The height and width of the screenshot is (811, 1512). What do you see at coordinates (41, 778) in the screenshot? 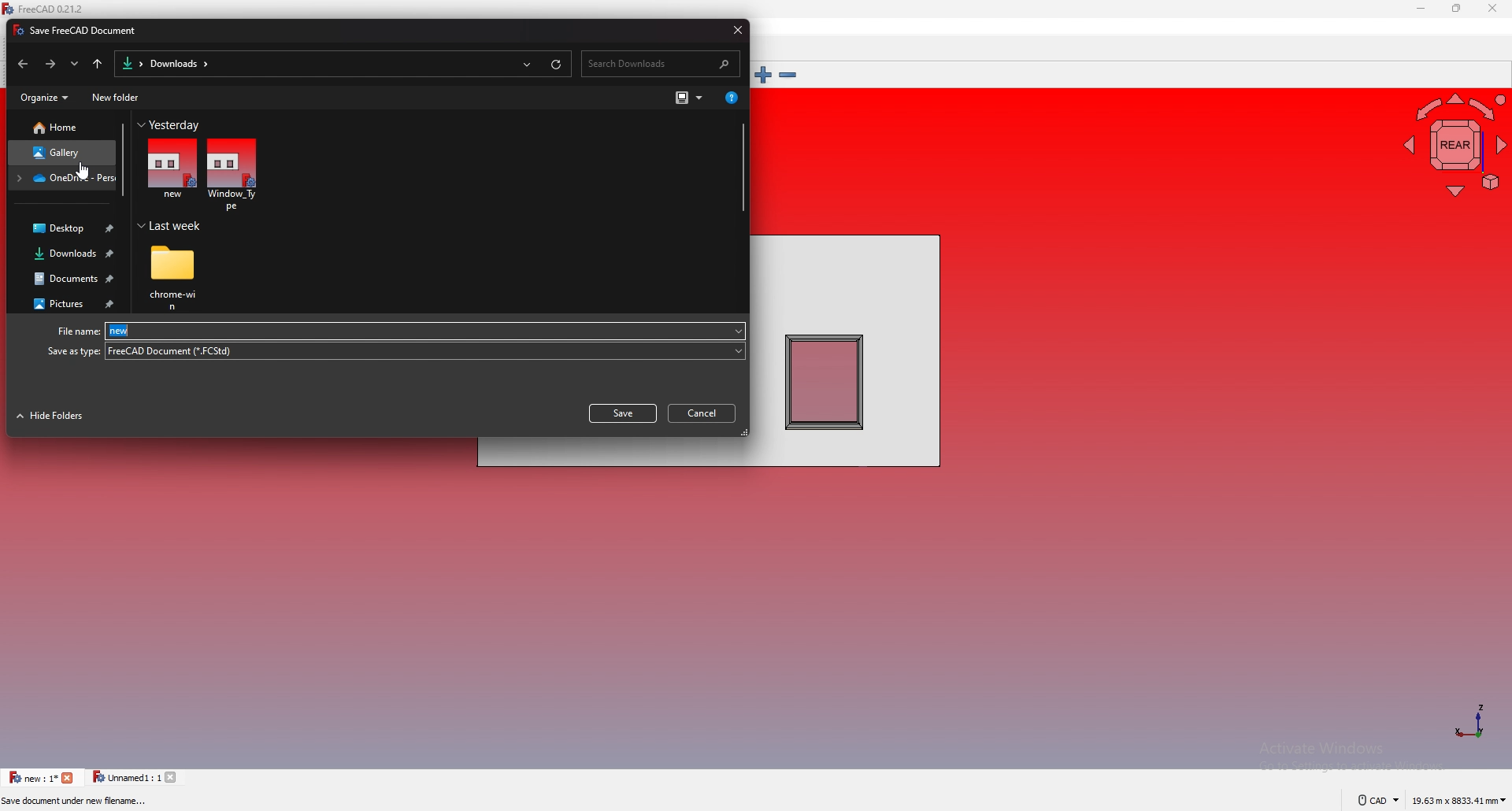
I see `tab 1` at bounding box center [41, 778].